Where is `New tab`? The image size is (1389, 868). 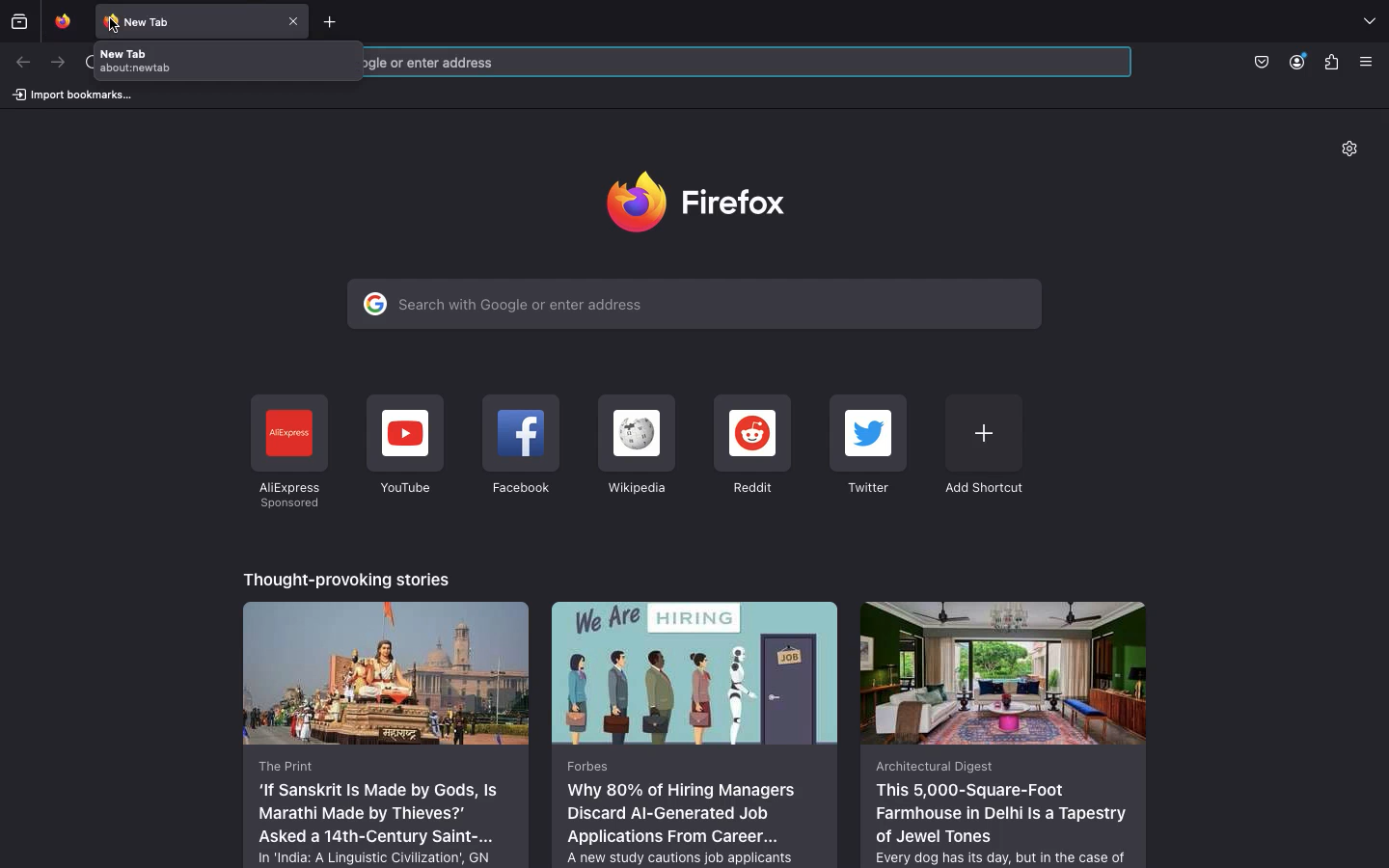
New tab is located at coordinates (187, 20).